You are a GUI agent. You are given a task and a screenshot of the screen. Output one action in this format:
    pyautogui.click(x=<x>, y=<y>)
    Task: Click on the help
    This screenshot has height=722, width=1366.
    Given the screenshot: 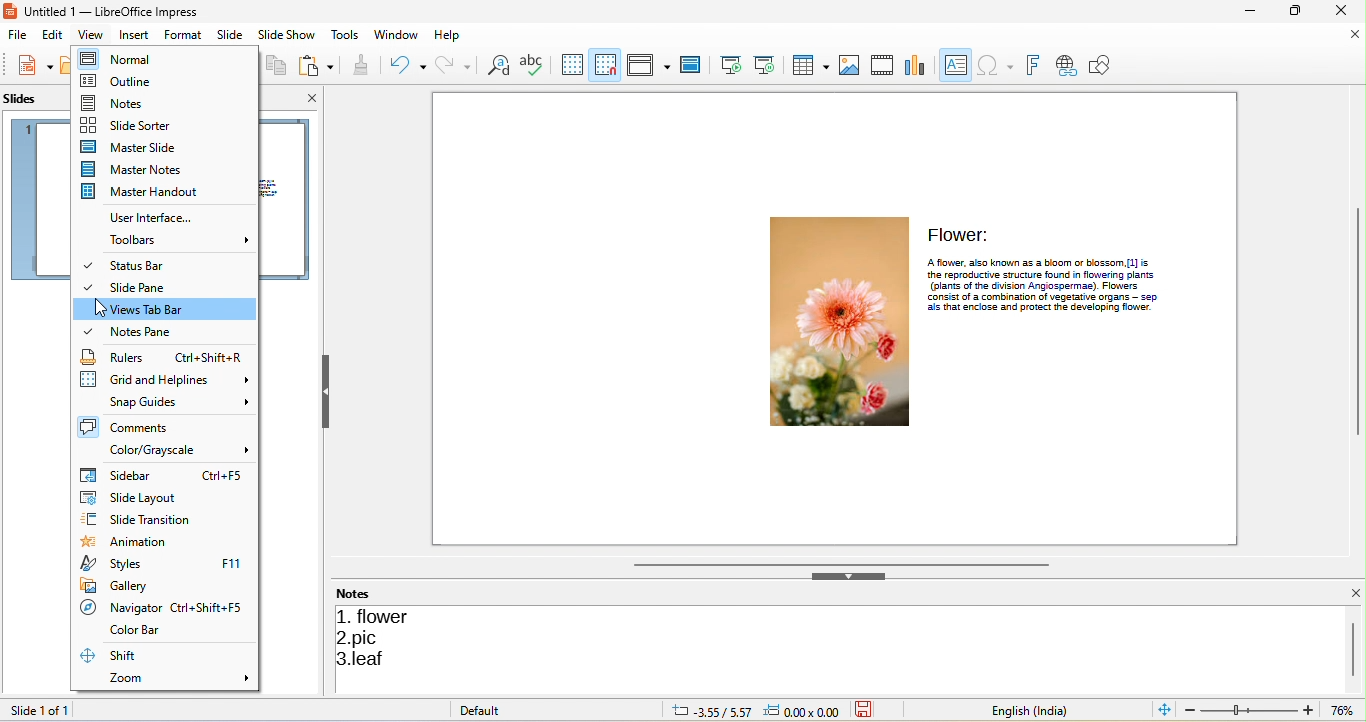 What is the action you would take?
    pyautogui.click(x=450, y=34)
    